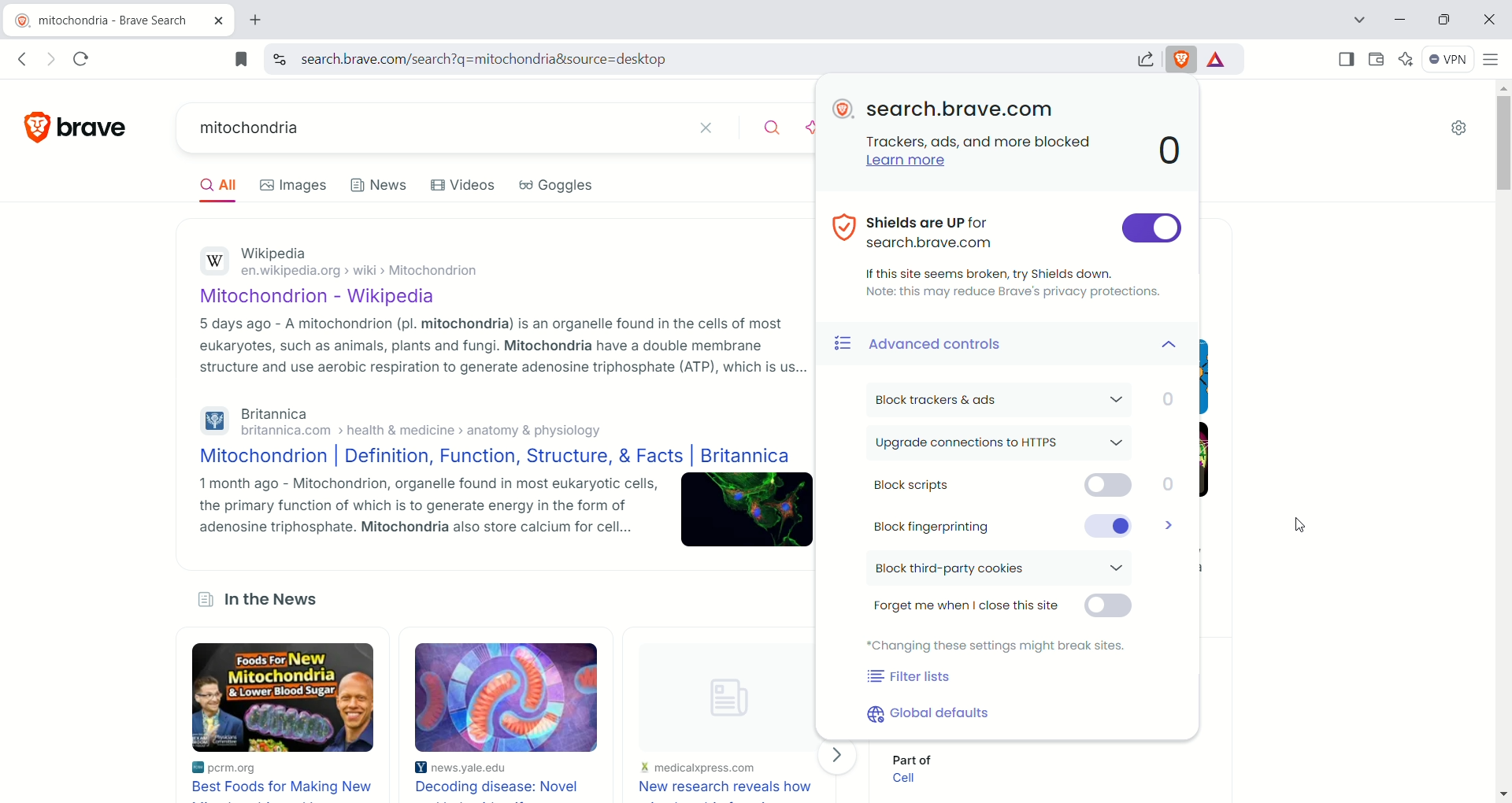  What do you see at coordinates (912, 779) in the screenshot?
I see `Cell` at bounding box center [912, 779].